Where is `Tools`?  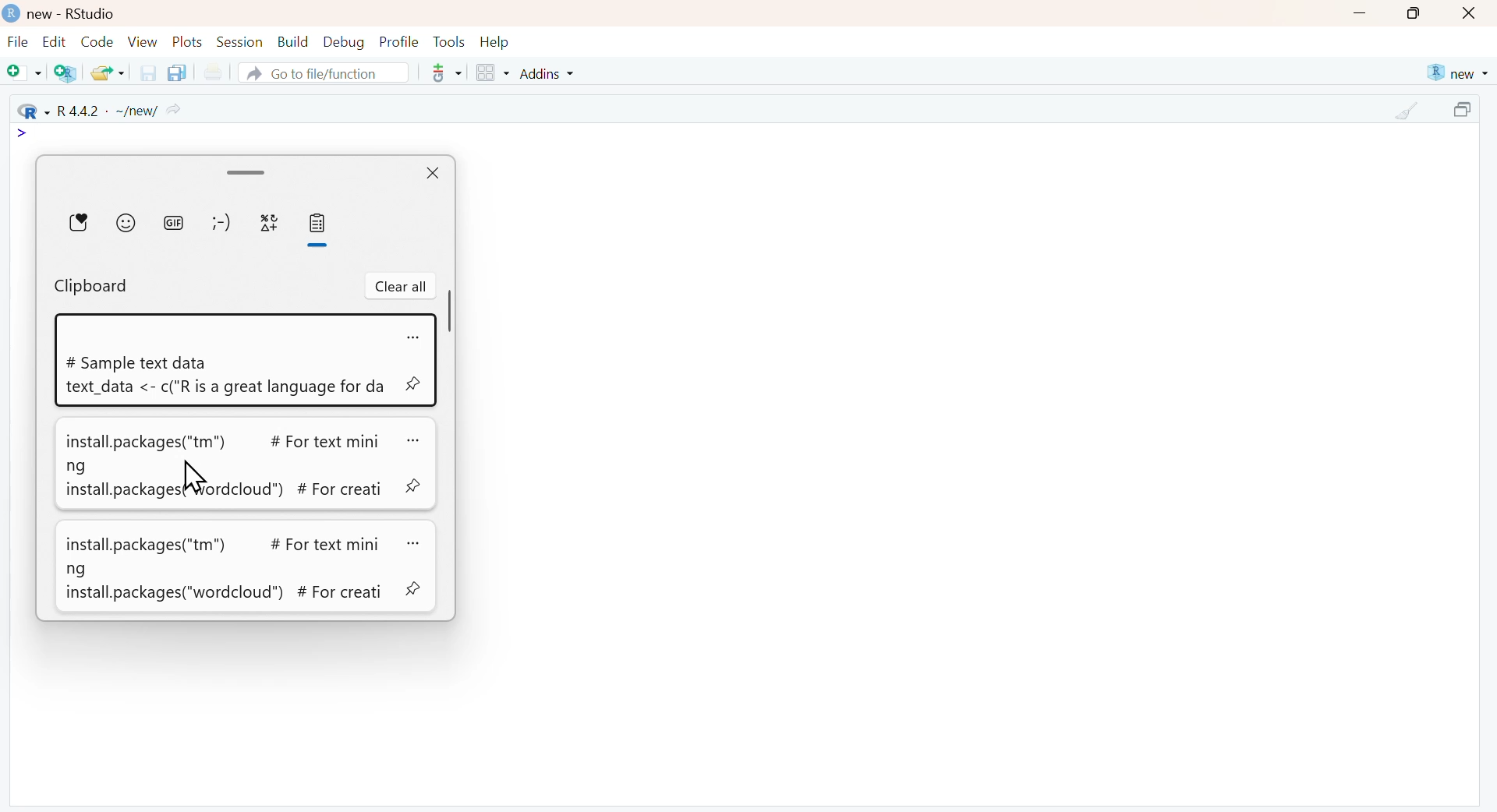
Tools is located at coordinates (451, 42).